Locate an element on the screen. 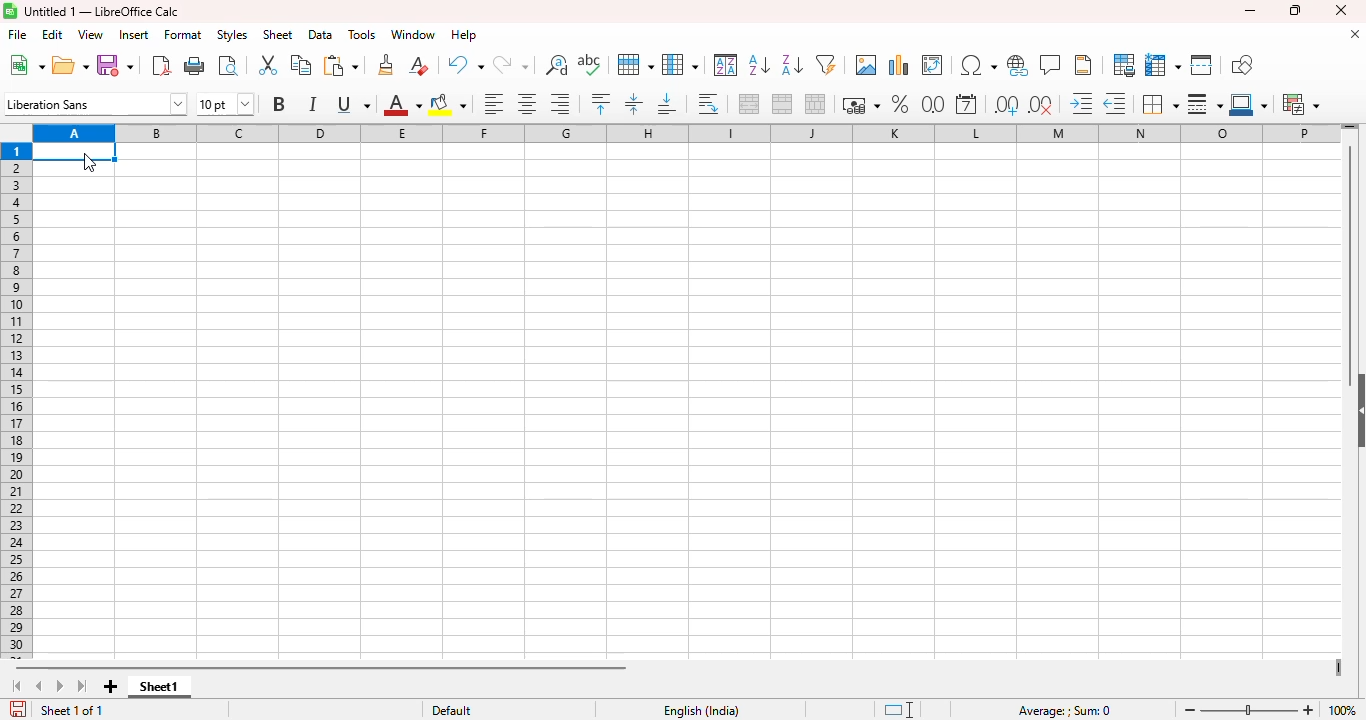 Image resolution: width=1366 pixels, height=720 pixels. align center is located at coordinates (526, 103).